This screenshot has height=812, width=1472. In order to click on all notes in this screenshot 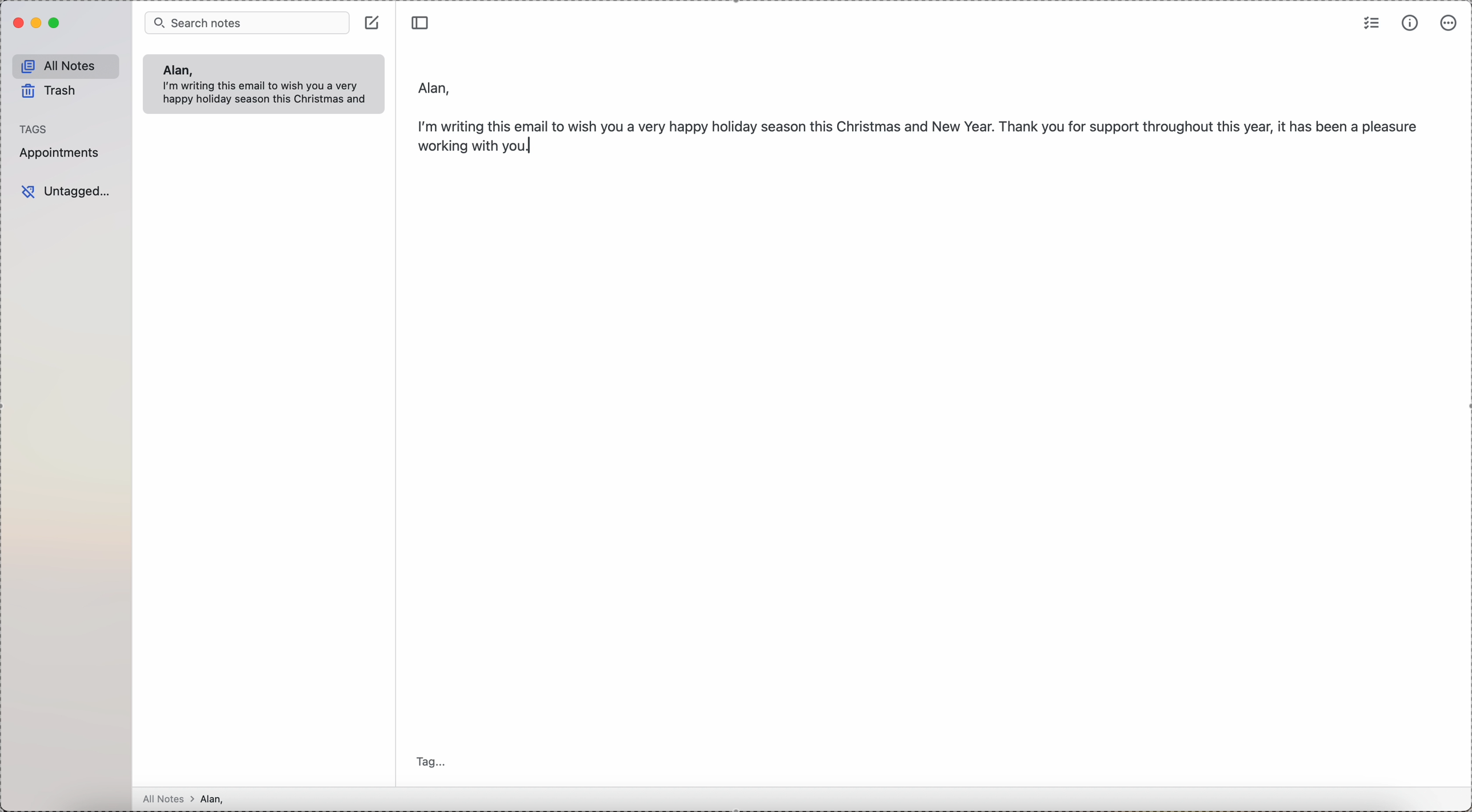, I will do `click(66, 66)`.